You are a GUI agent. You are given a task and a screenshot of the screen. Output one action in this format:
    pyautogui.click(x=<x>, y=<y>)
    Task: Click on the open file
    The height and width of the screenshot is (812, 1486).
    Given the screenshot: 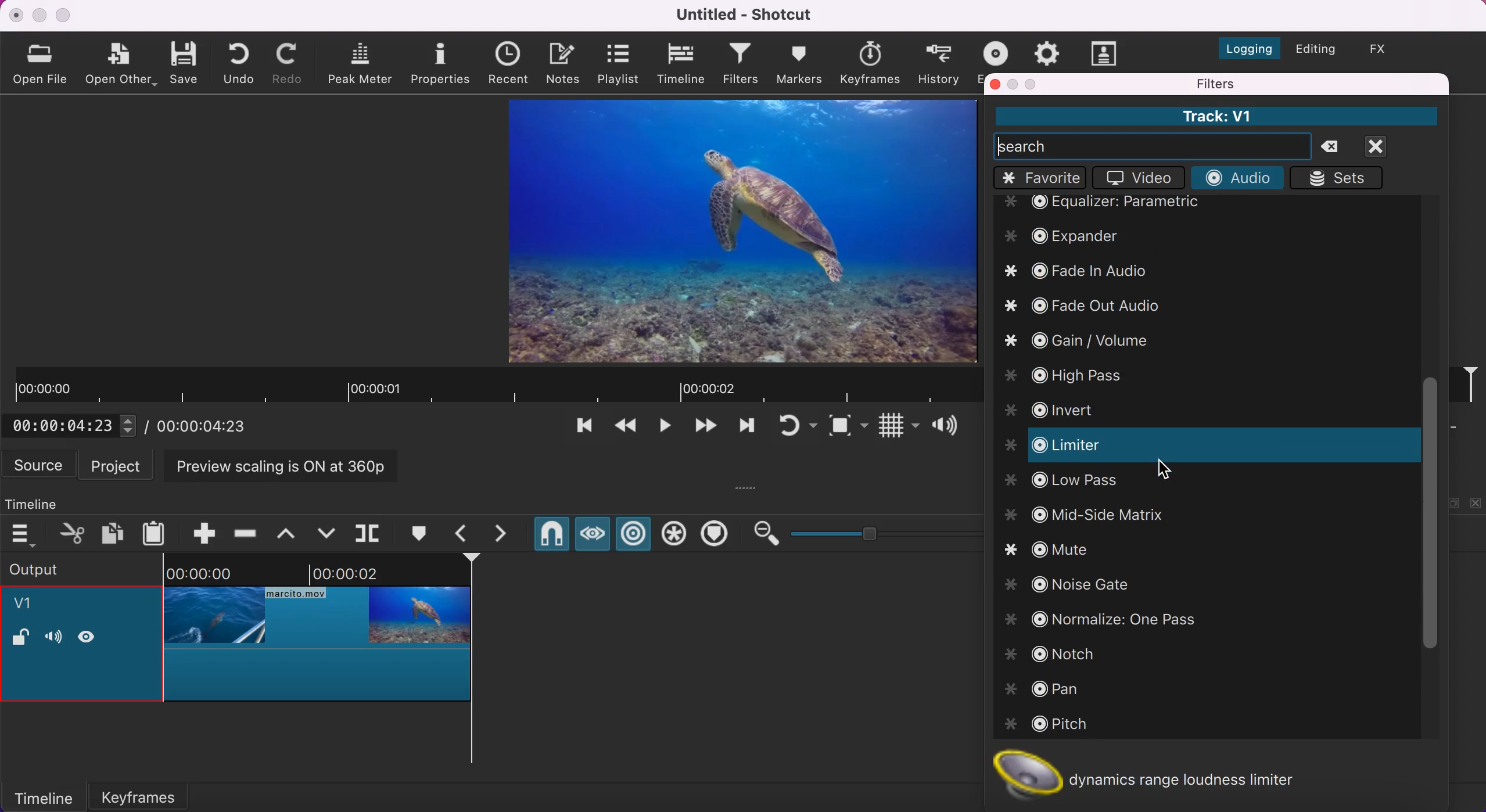 What is the action you would take?
    pyautogui.click(x=43, y=63)
    